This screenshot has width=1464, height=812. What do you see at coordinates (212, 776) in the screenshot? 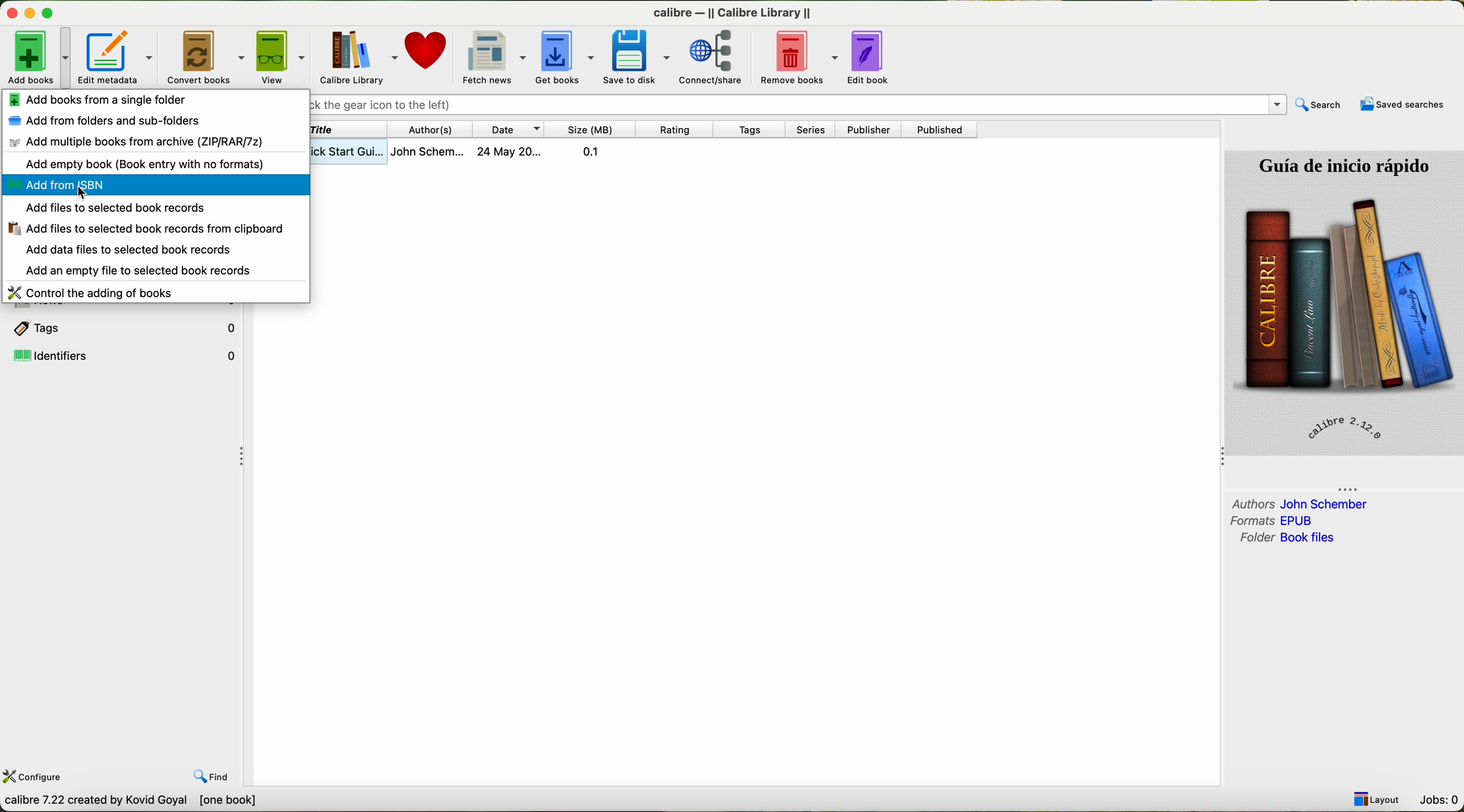
I see `find` at bounding box center [212, 776].